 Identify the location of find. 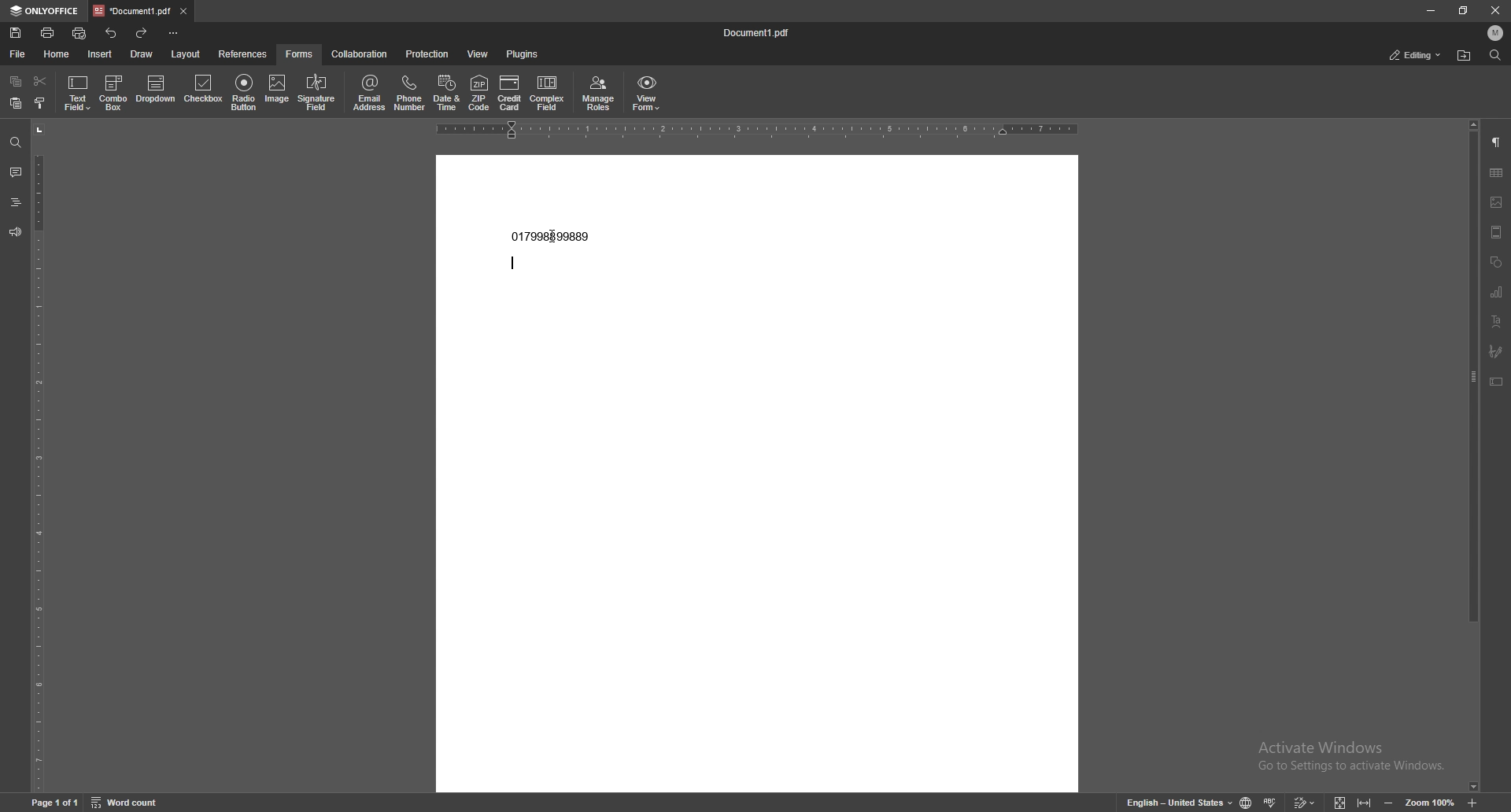
(15, 143).